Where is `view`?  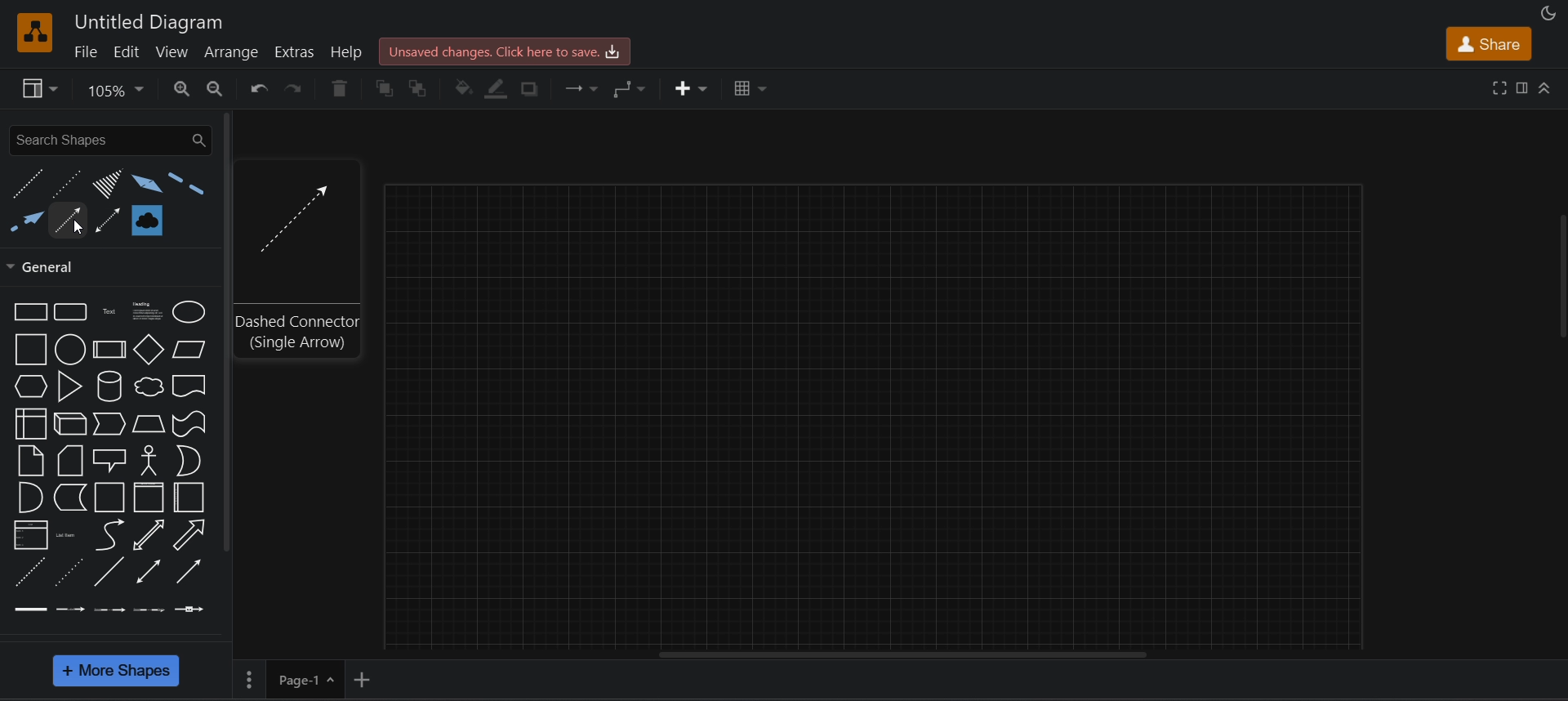 view is located at coordinates (39, 89).